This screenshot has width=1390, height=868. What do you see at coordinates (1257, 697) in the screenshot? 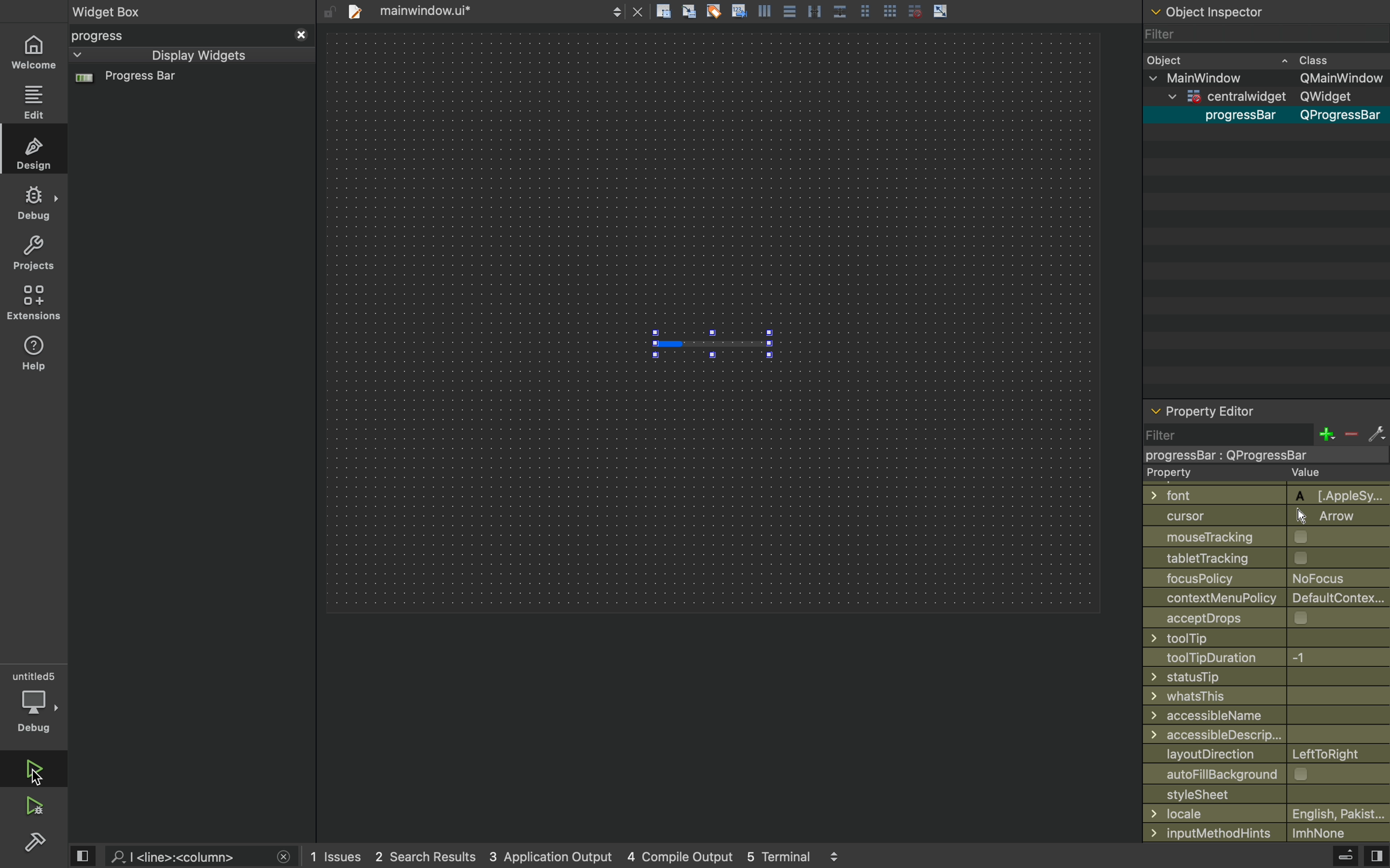
I see `whatisthis` at bounding box center [1257, 697].